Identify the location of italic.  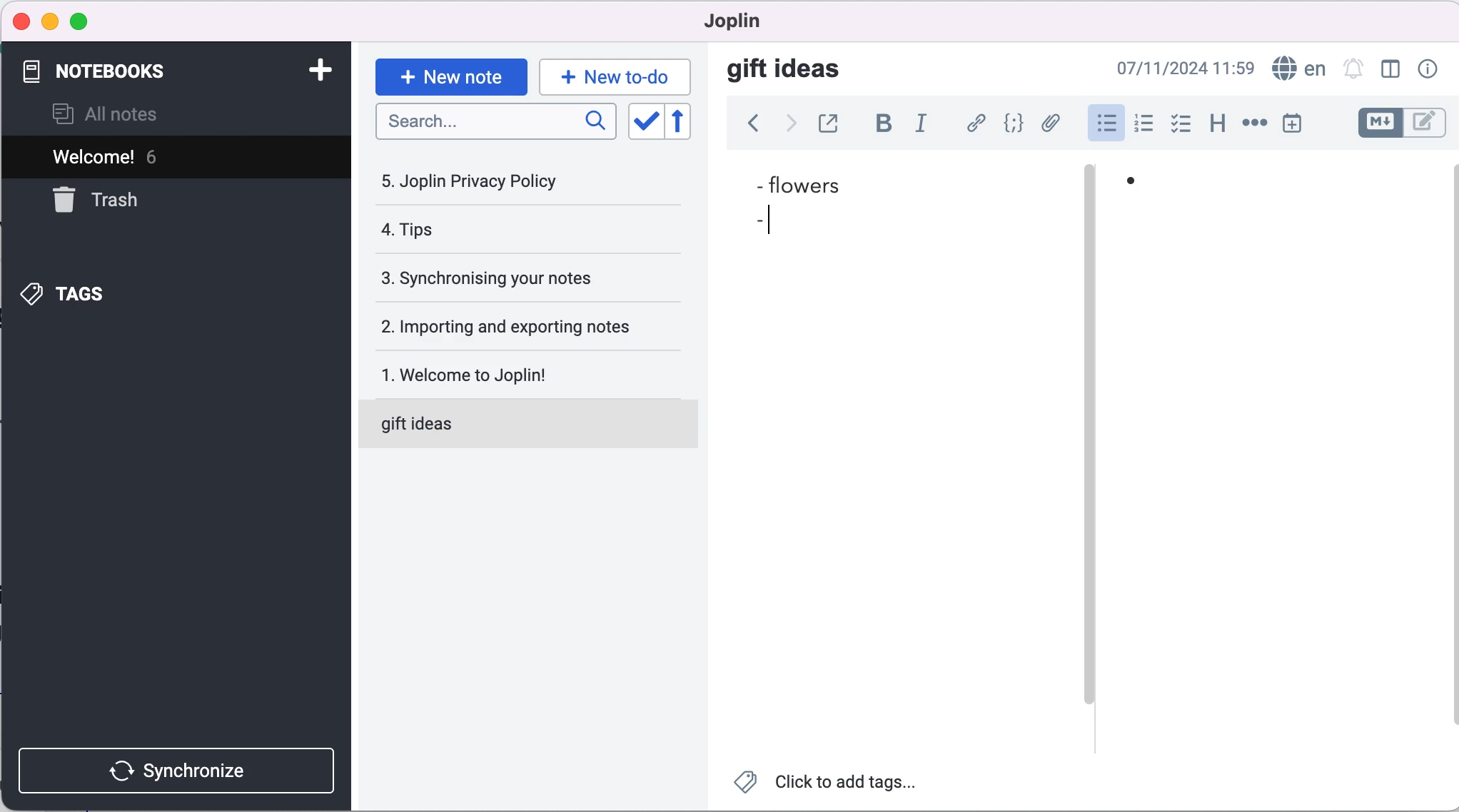
(921, 125).